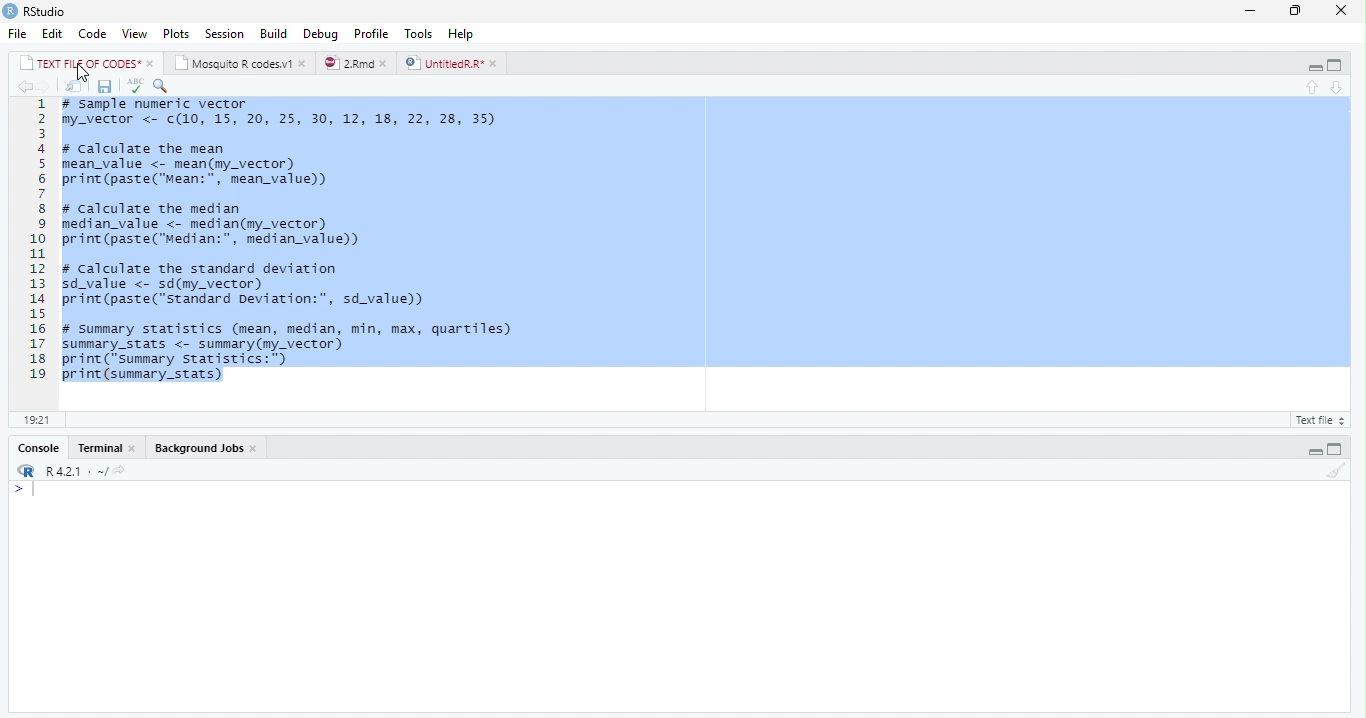 Image resolution: width=1366 pixels, height=718 pixels. What do you see at coordinates (304, 64) in the screenshot?
I see `close` at bounding box center [304, 64].